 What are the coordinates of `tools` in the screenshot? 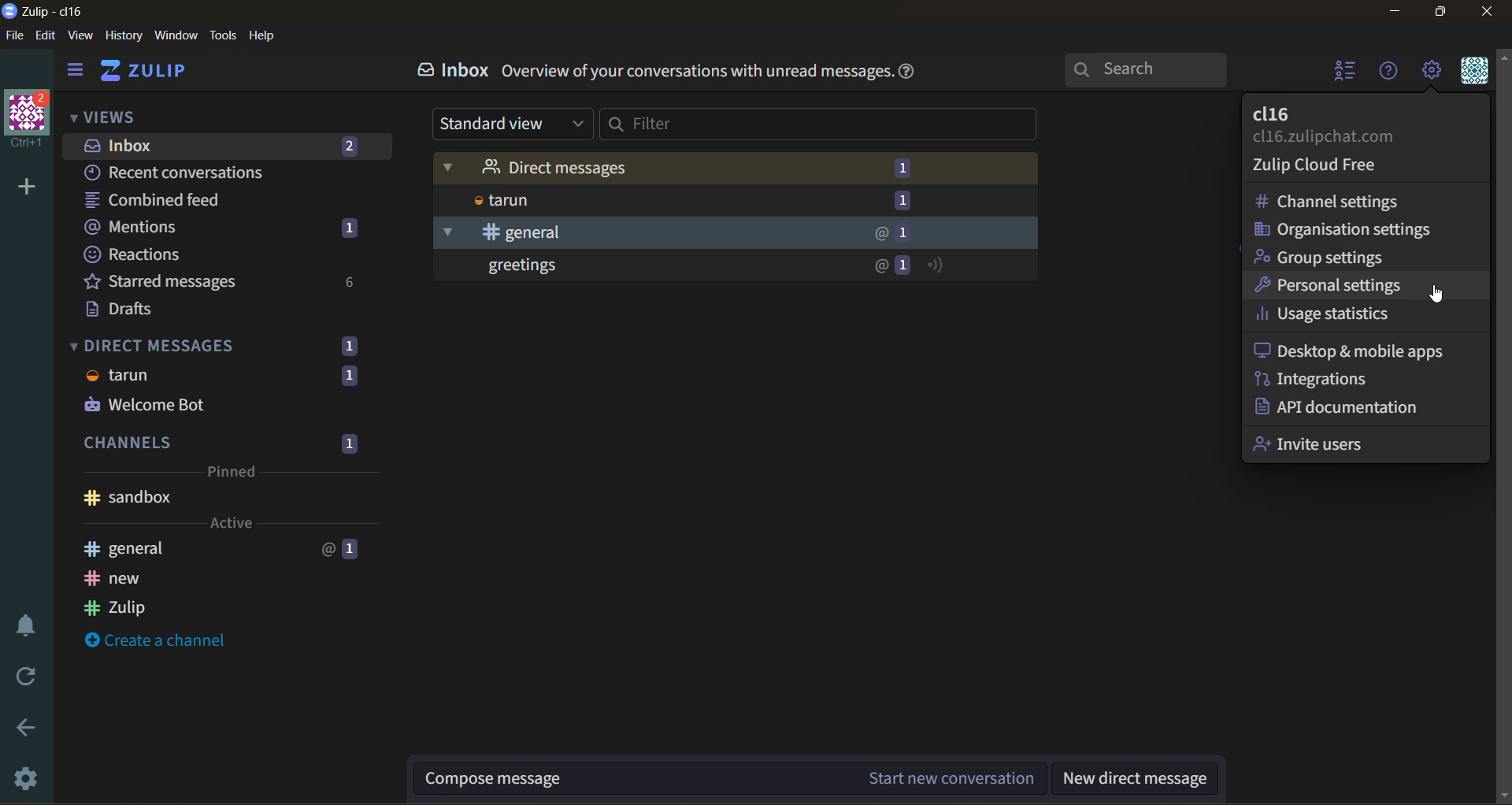 It's located at (224, 38).